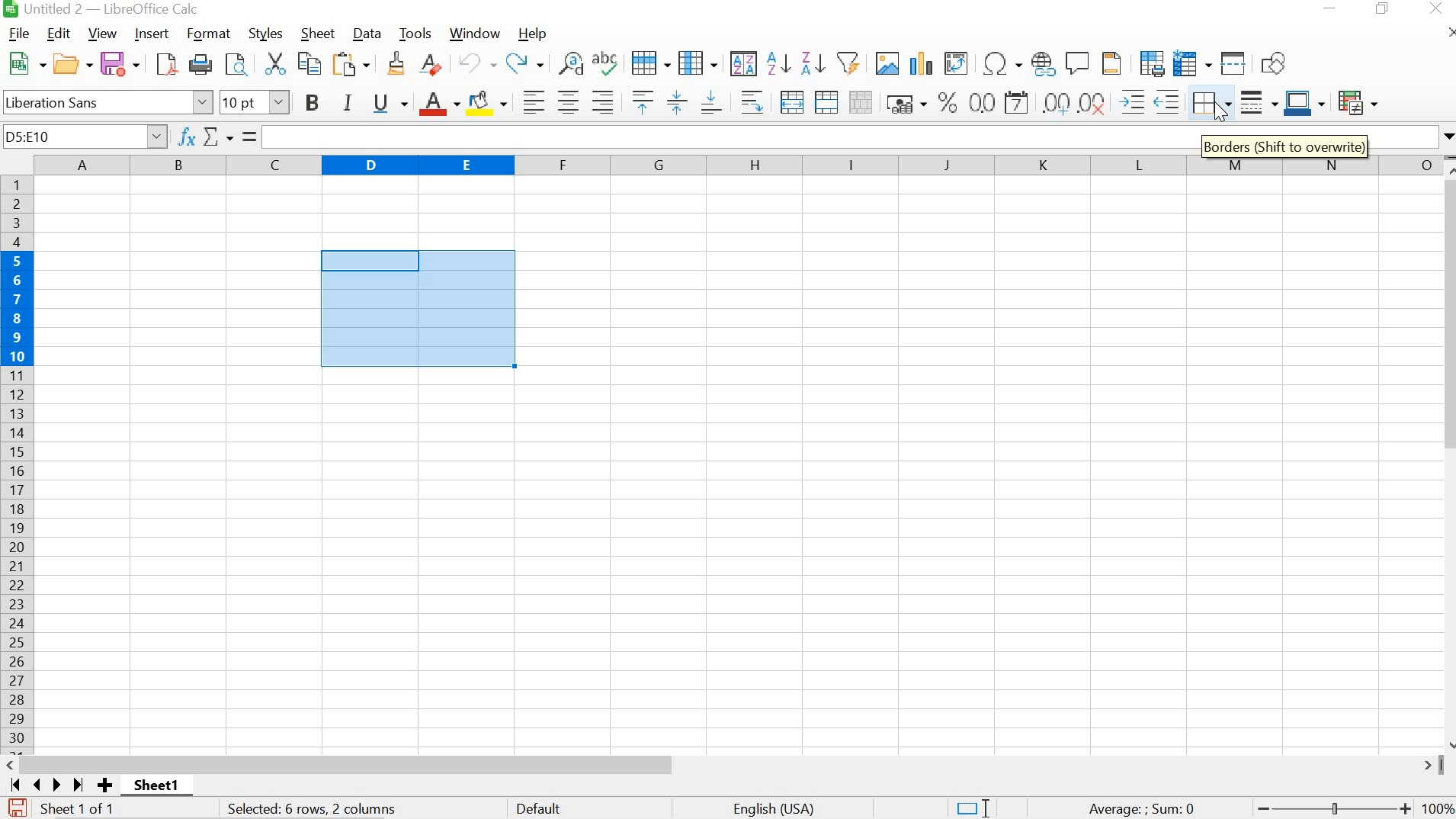  What do you see at coordinates (1438, 810) in the screenshot?
I see `zoom factor` at bounding box center [1438, 810].